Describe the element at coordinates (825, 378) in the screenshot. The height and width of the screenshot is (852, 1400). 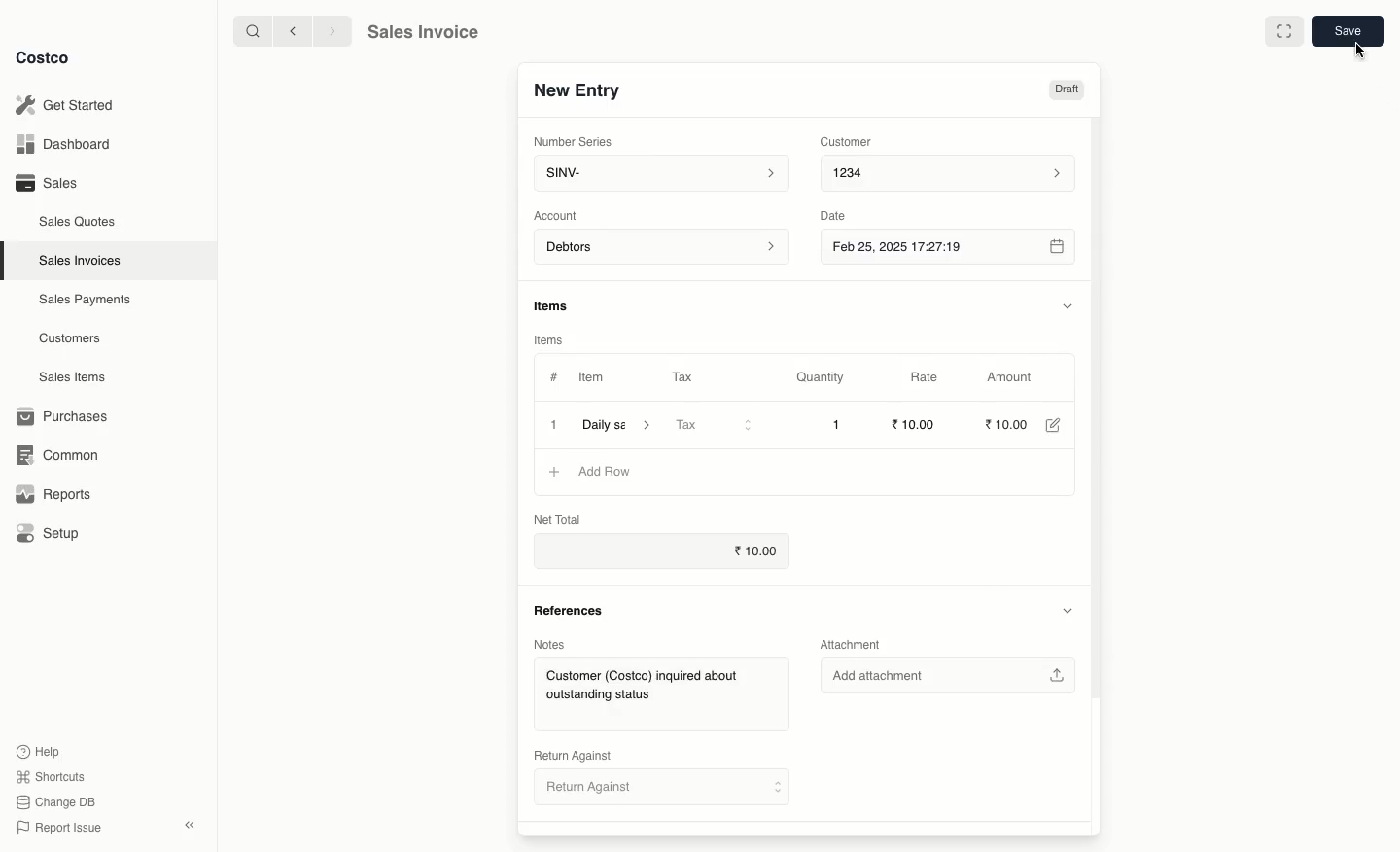
I see `Quantity` at that location.